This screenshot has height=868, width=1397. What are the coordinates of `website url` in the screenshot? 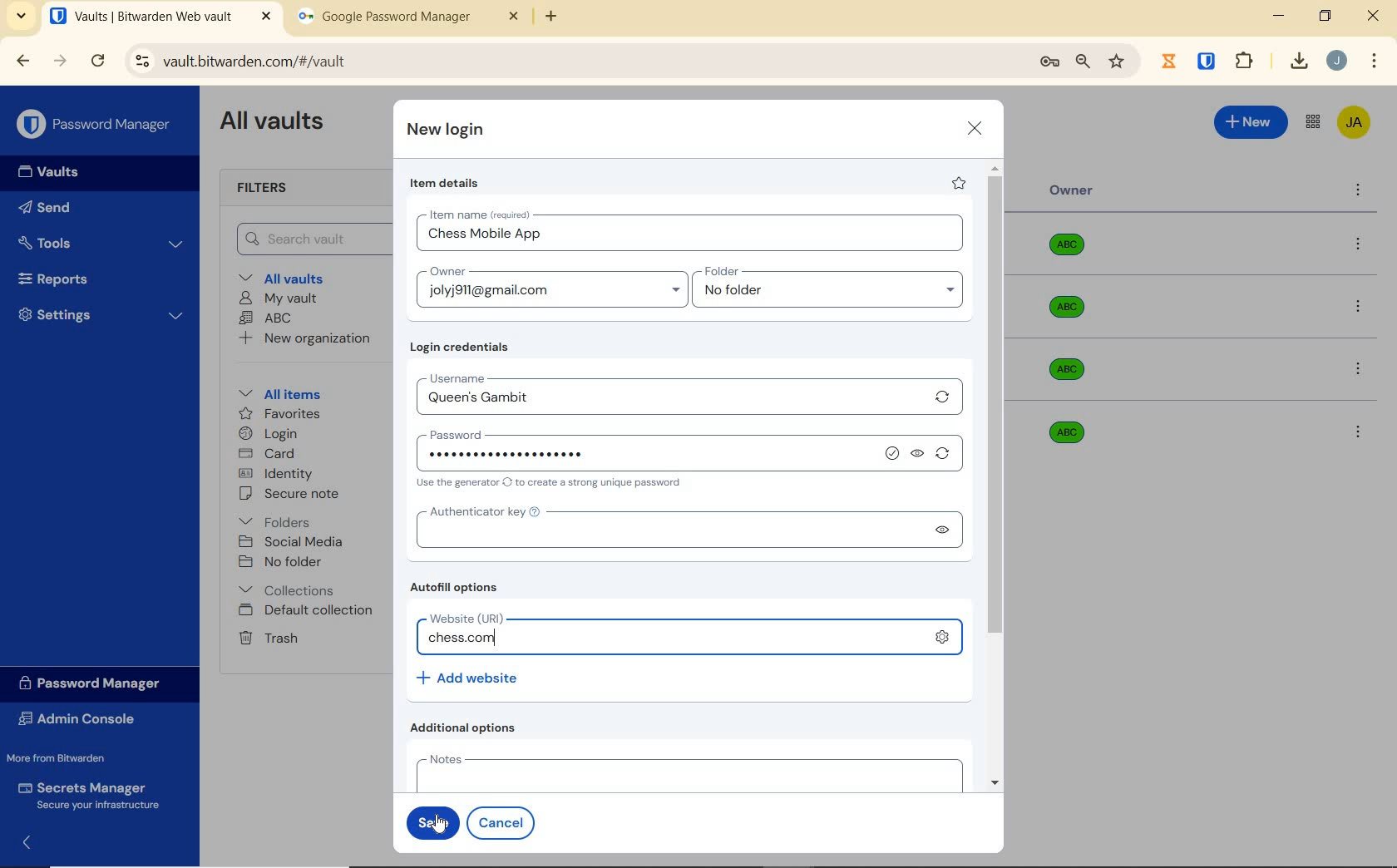 It's located at (674, 639).